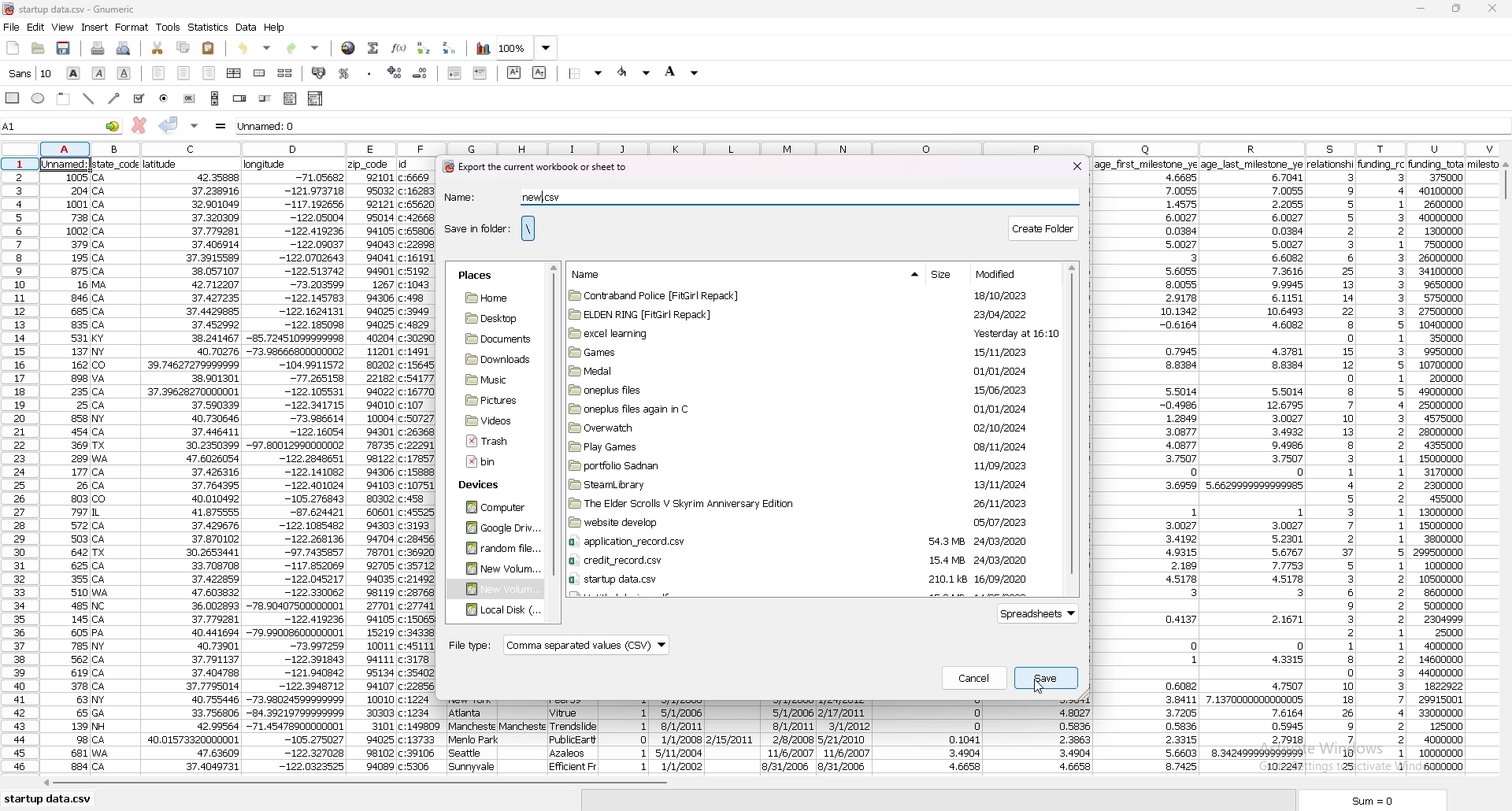 This screenshot has width=1512, height=811. What do you see at coordinates (94, 28) in the screenshot?
I see `insert` at bounding box center [94, 28].